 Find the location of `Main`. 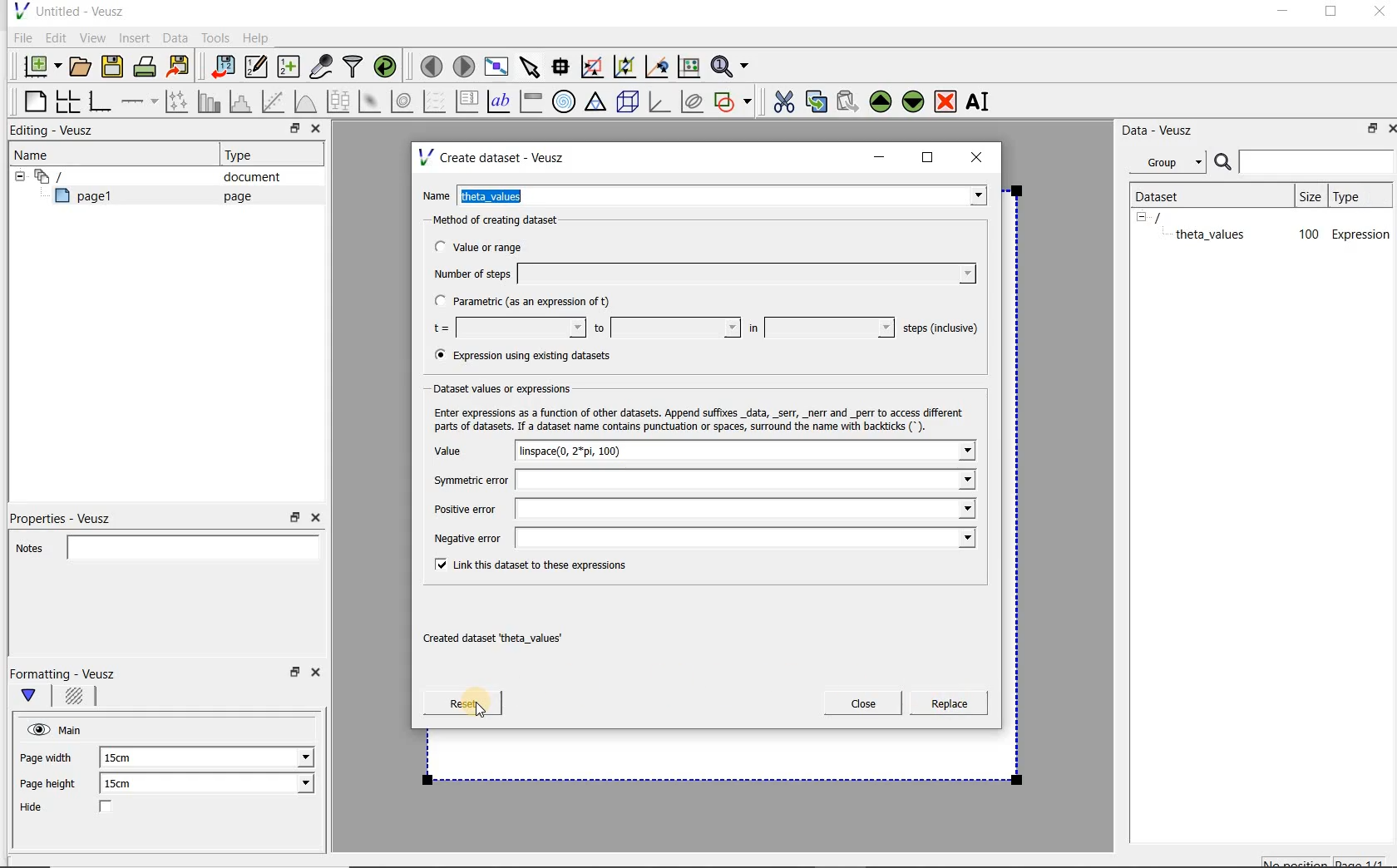

Main is located at coordinates (73, 728).